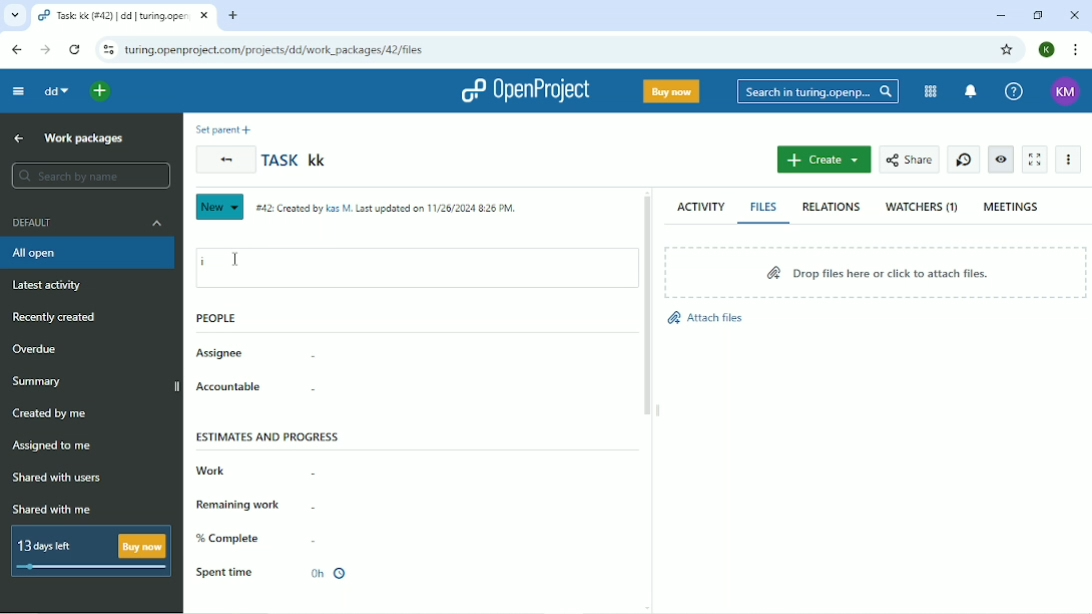 Image resolution: width=1092 pixels, height=614 pixels. I want to click on Work packages, so click(83, 139).